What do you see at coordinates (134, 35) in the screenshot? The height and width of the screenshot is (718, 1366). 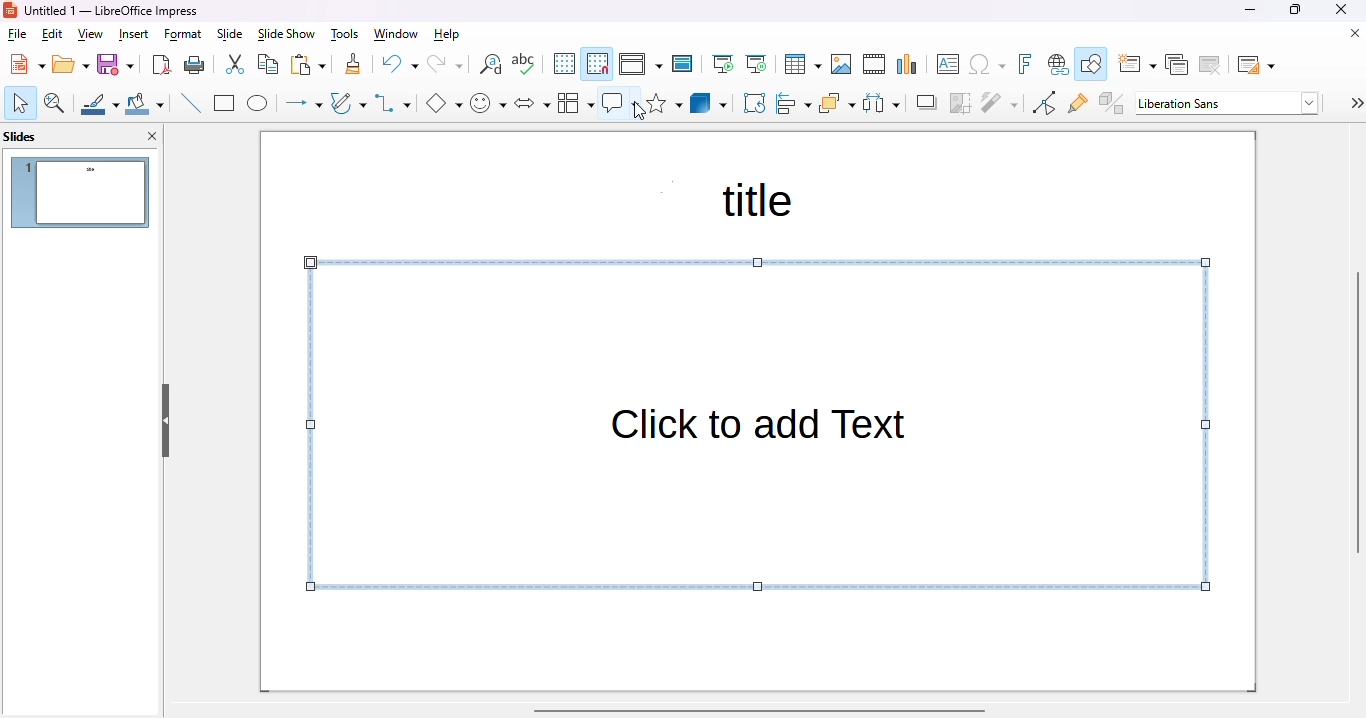 I see `insert` at bounding box center [134, 35].